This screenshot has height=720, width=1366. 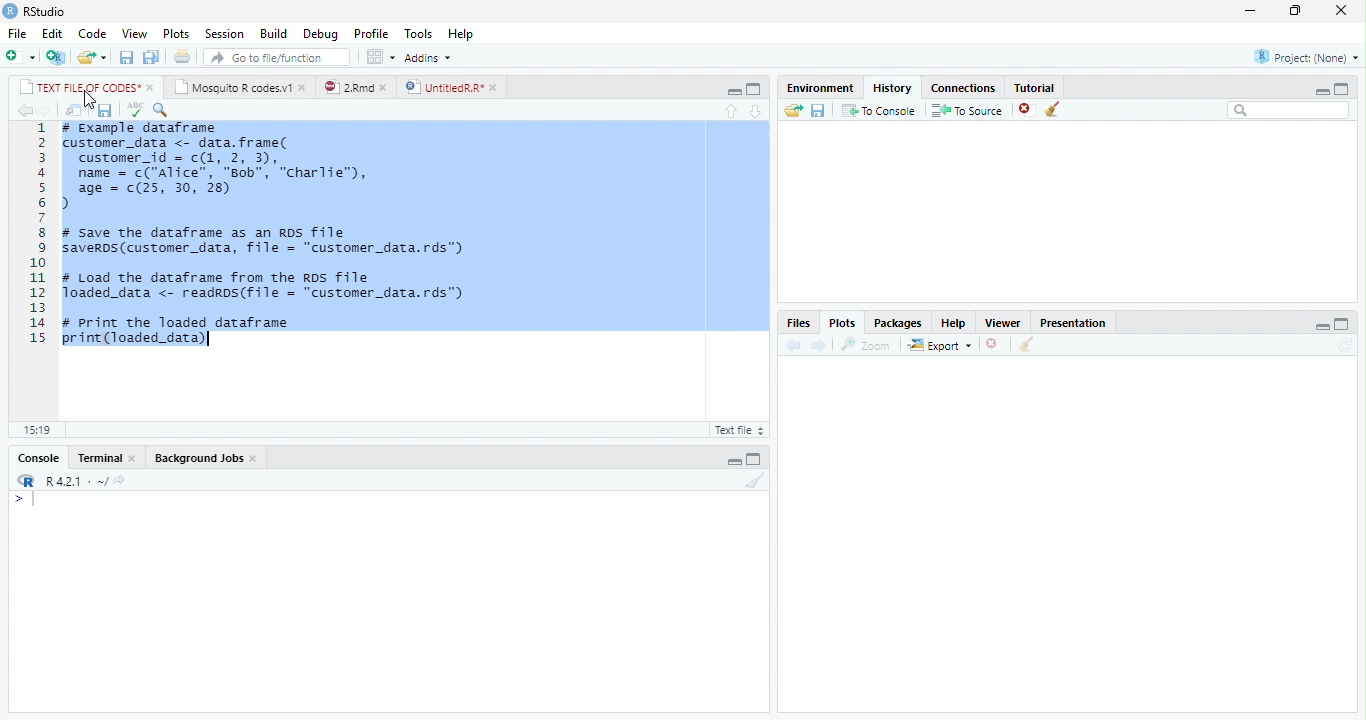 What do you see at coordinates (305, 87) in the screenshot?
I see `close` at bounding box center [305, 87].